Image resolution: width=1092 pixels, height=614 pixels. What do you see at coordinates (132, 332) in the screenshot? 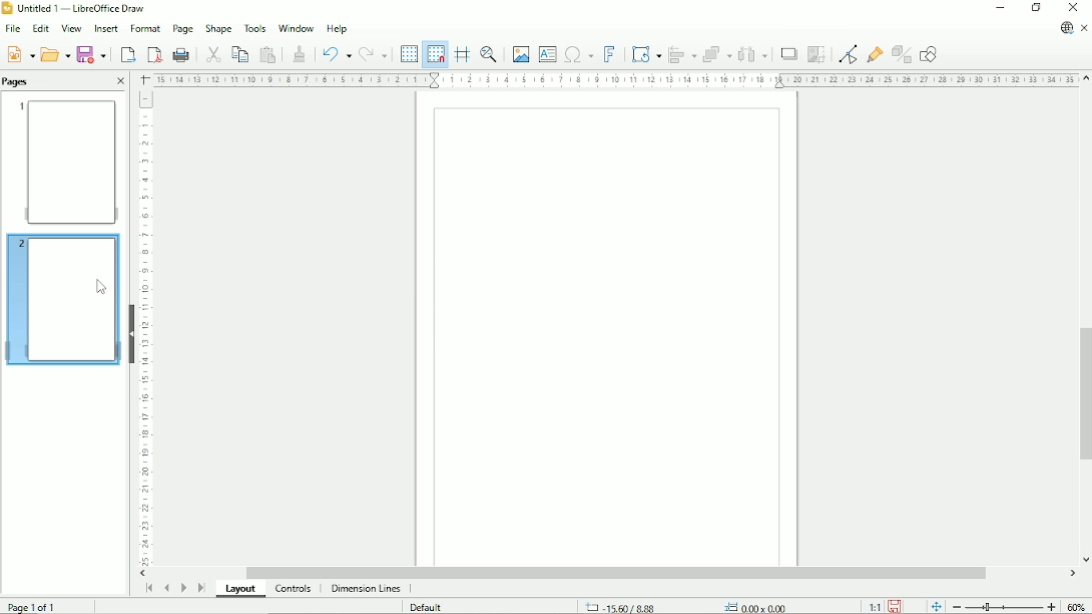
I see `Hide` at bounding box center [132, 332].